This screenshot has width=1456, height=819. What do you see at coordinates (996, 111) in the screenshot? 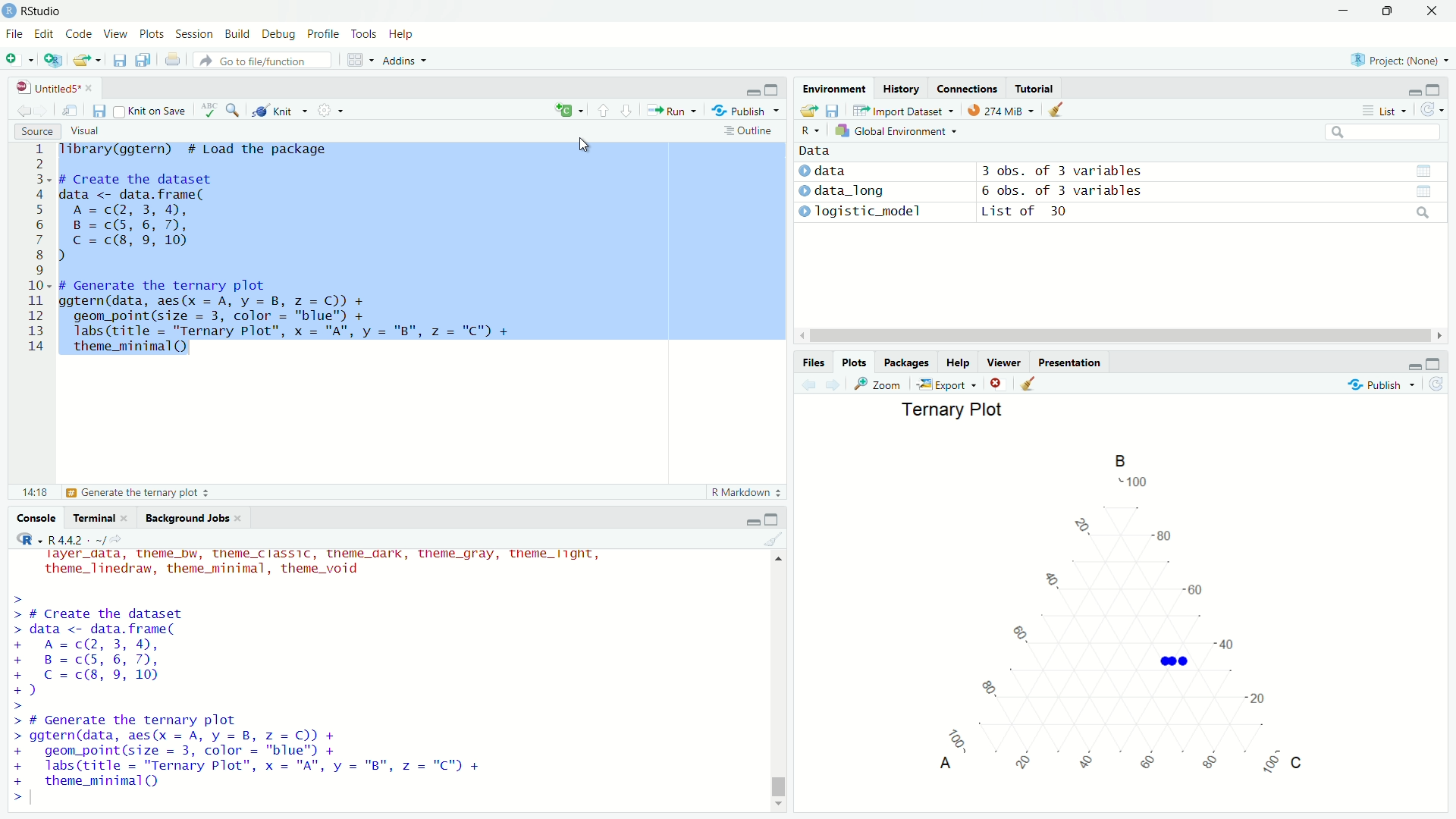
I see `274 MiB` at bounding box center [996, 111].